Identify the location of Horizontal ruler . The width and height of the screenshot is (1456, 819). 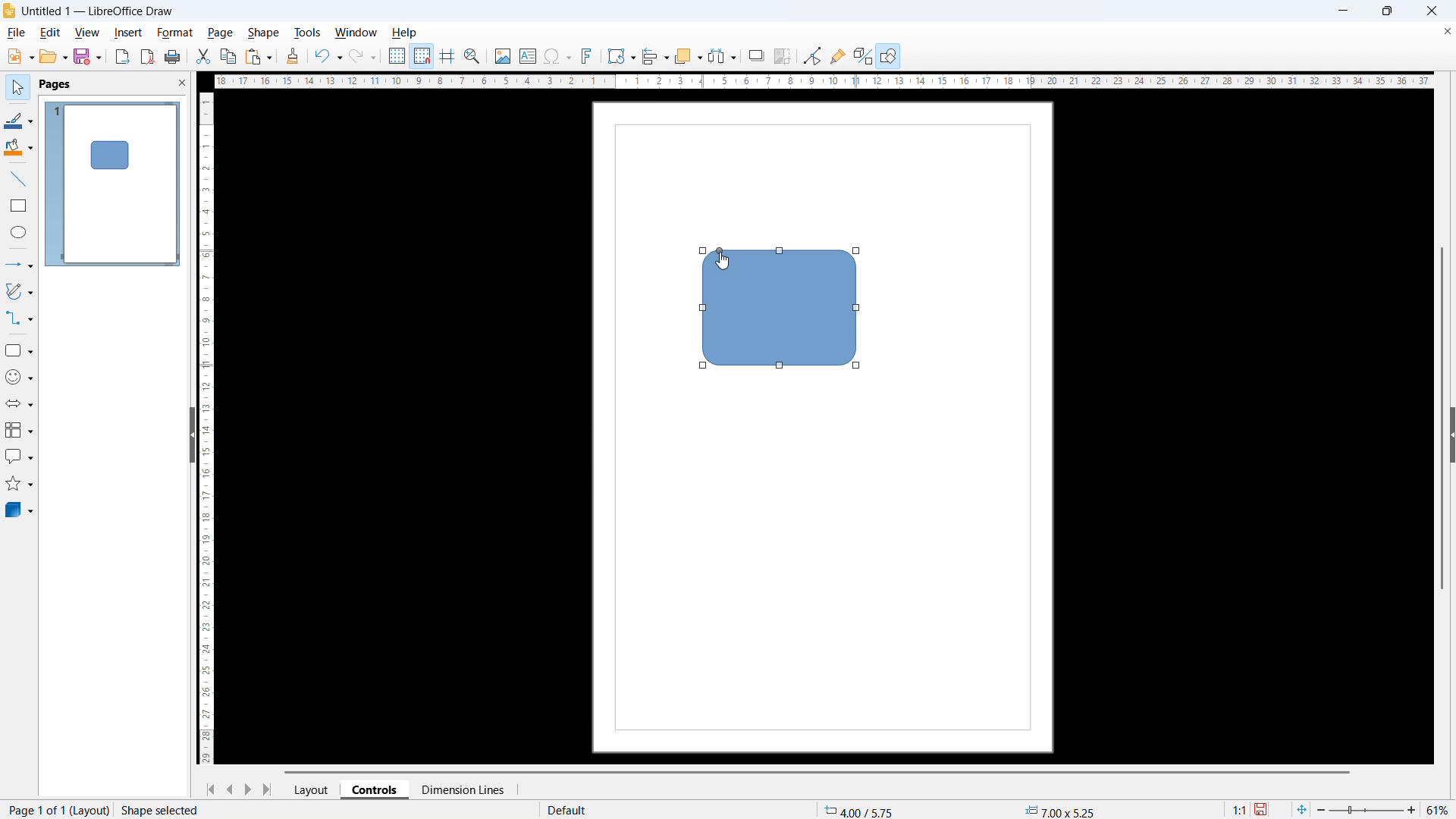
(819, 81).